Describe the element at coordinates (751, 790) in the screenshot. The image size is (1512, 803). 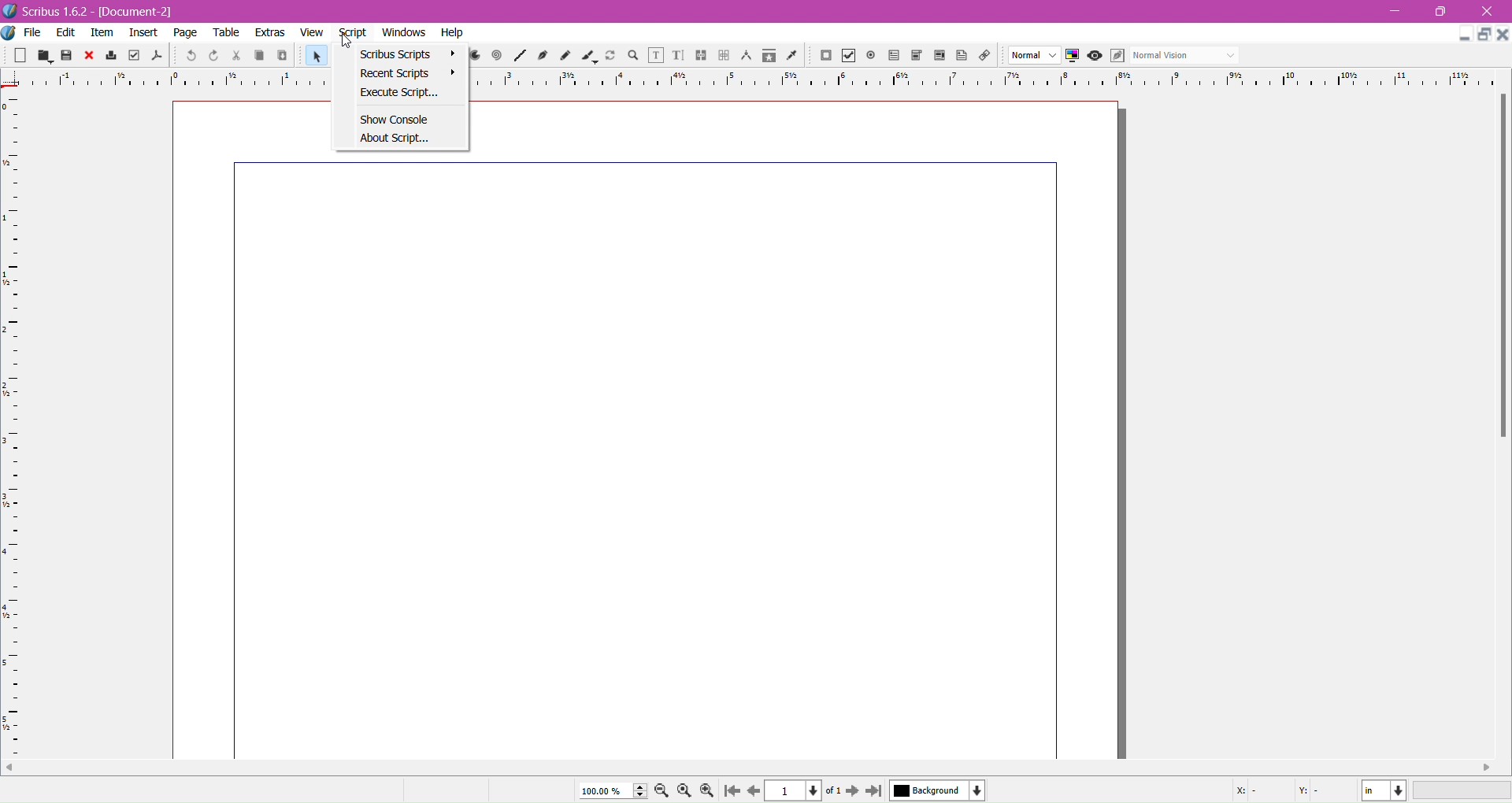
I see `Go to the previous page` at that location.